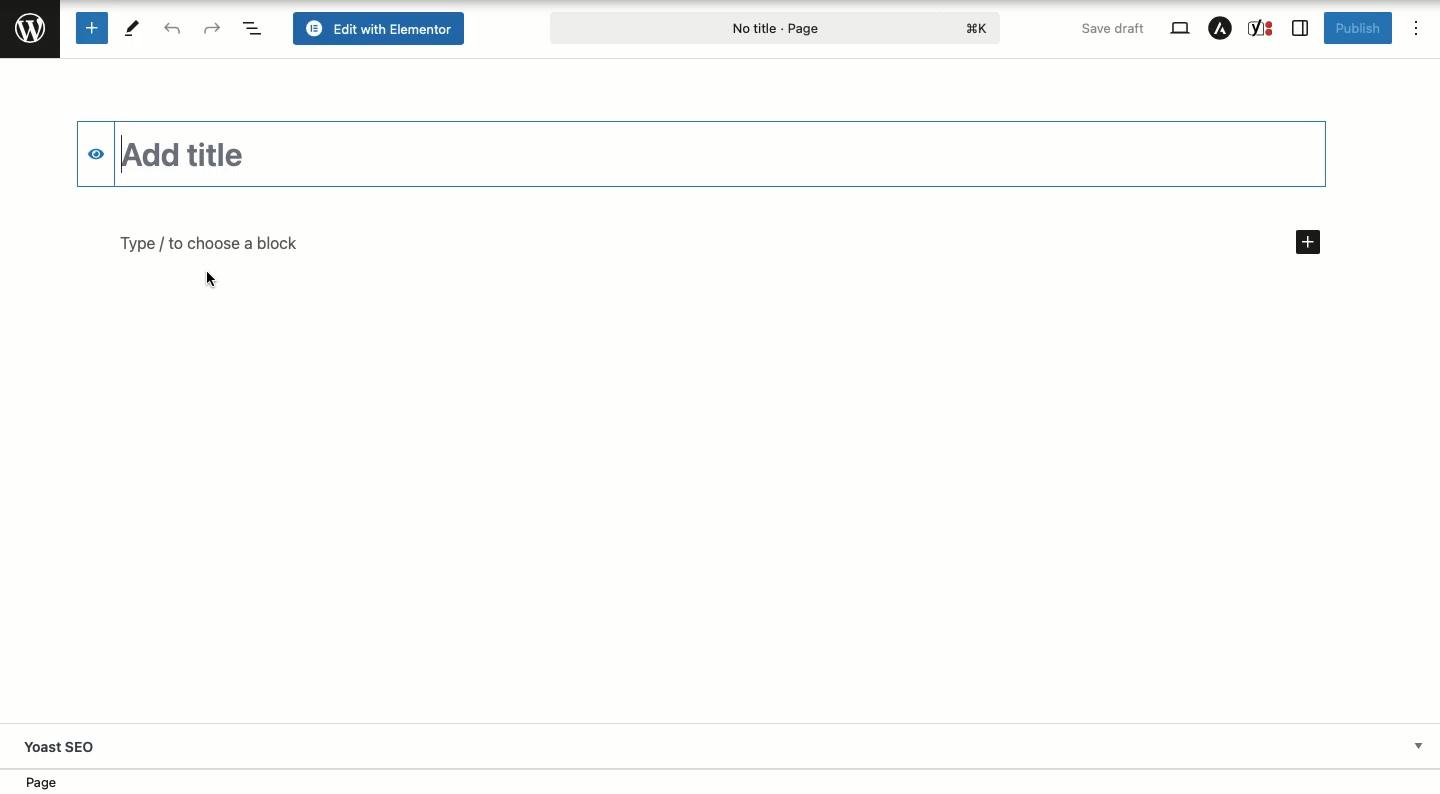 This screenshot has width=1440, height=794. Describe the element at coordinates (96, 154) in the screenshot. I see `Hide` at that location.